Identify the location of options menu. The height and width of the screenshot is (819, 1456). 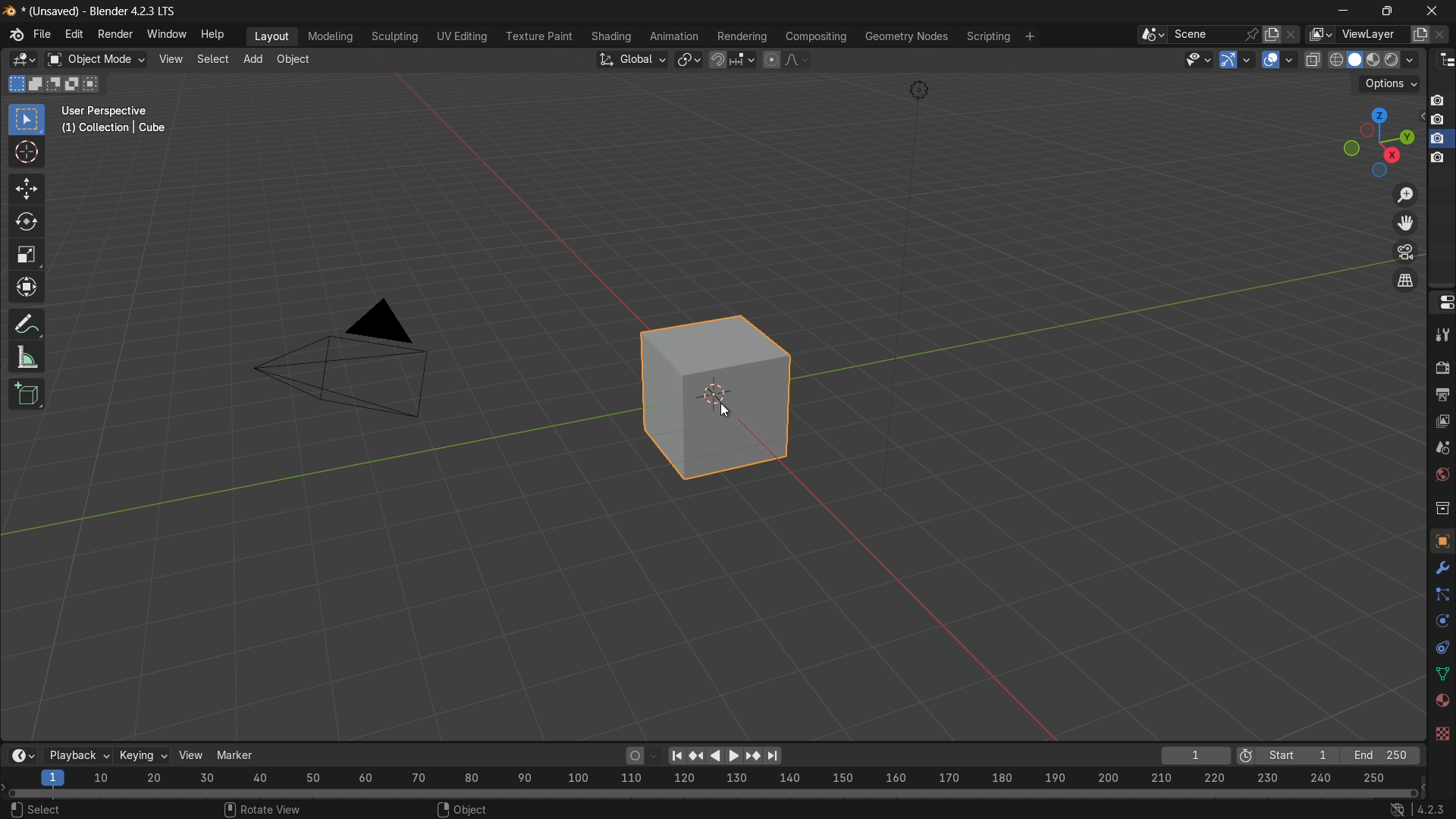
(1389, 84).